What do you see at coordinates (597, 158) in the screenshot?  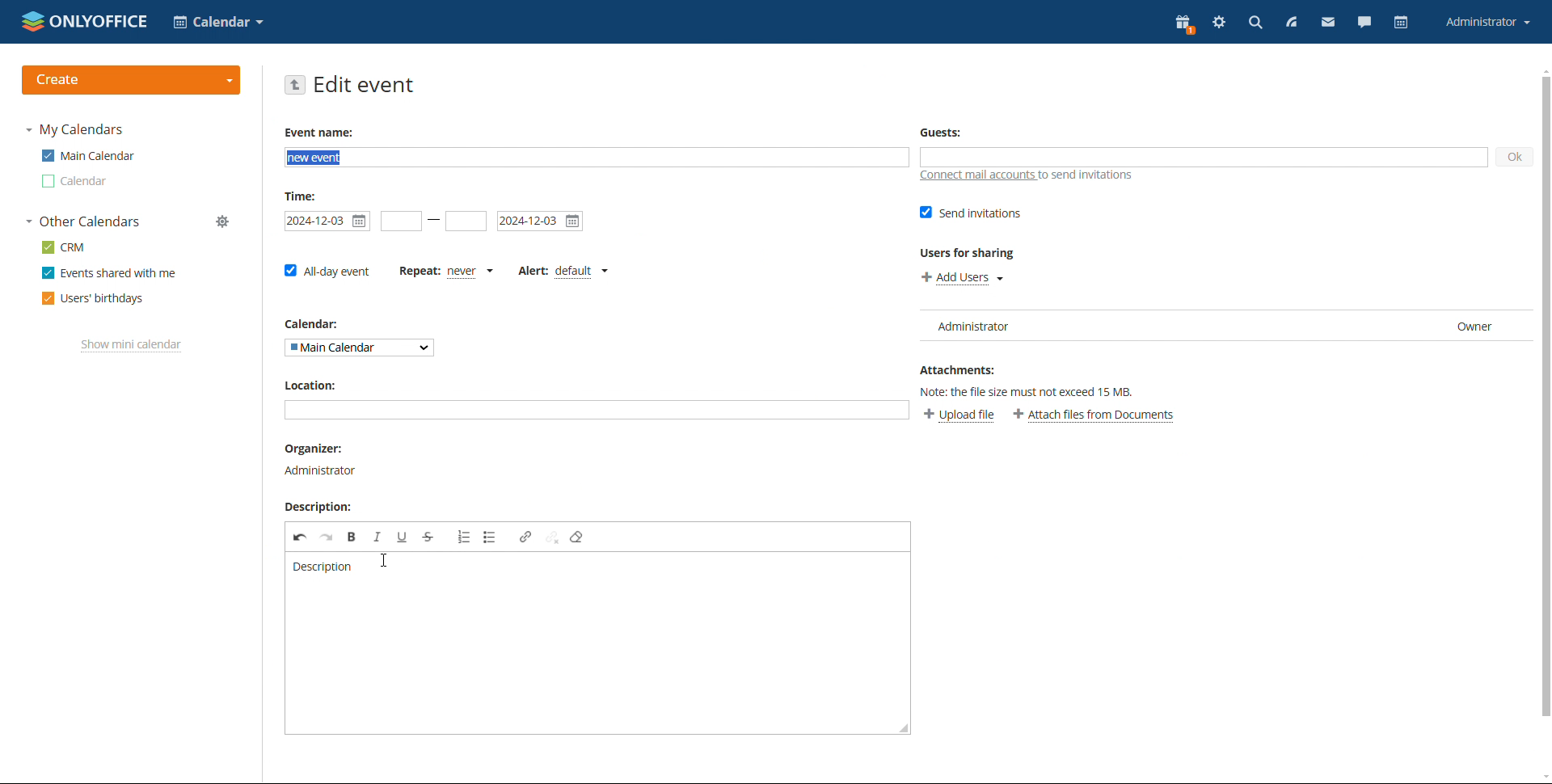 I see `add event name` at bounding box center [597, 158].